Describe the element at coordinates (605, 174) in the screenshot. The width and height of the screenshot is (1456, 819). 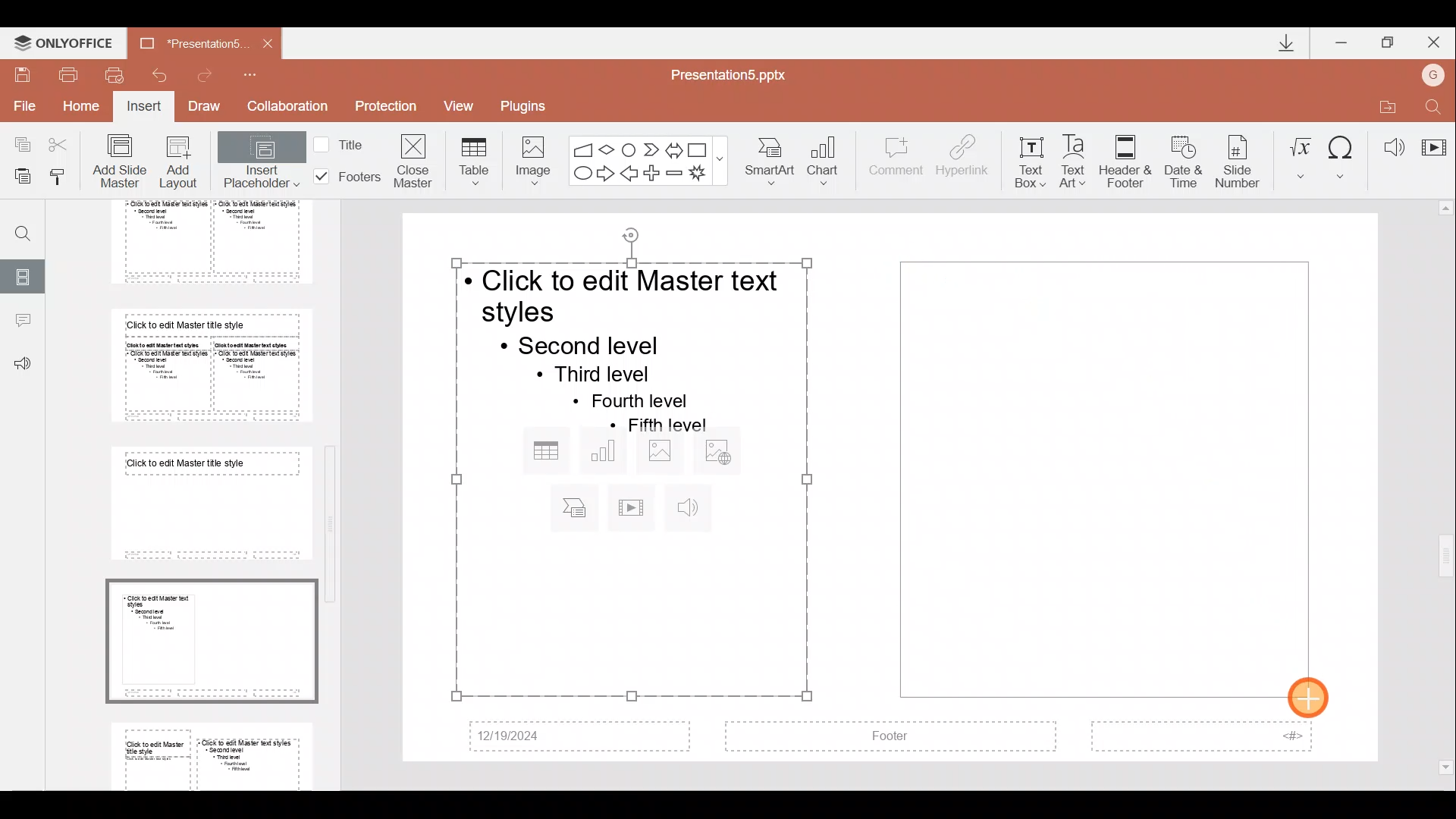
I see `Right arrow` at that location.